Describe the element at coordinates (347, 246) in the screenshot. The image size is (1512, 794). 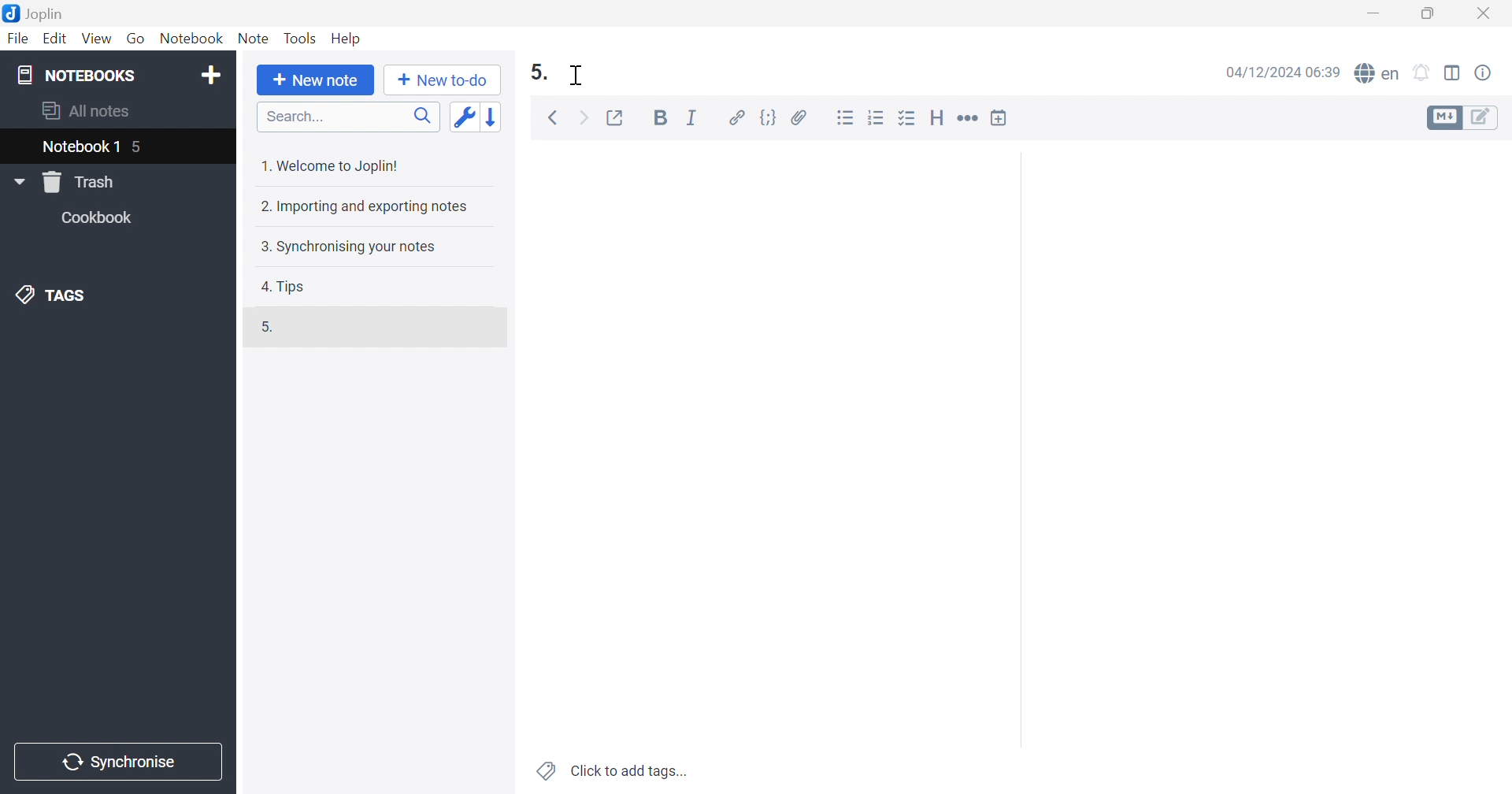
I see `3. Synchronising your notes` at that location.